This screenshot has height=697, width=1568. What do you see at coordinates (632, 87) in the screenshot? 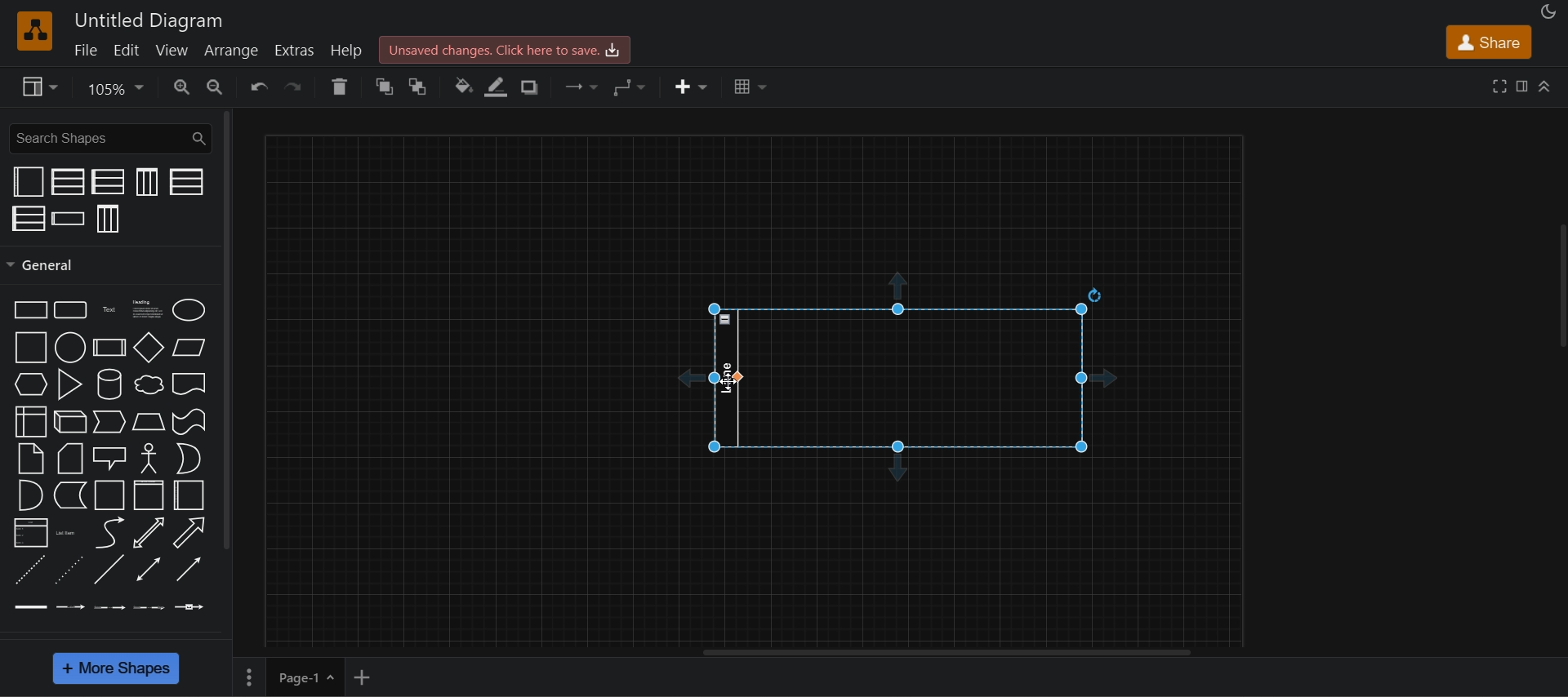
I see `waypoints` at bounding box center [632, 87].